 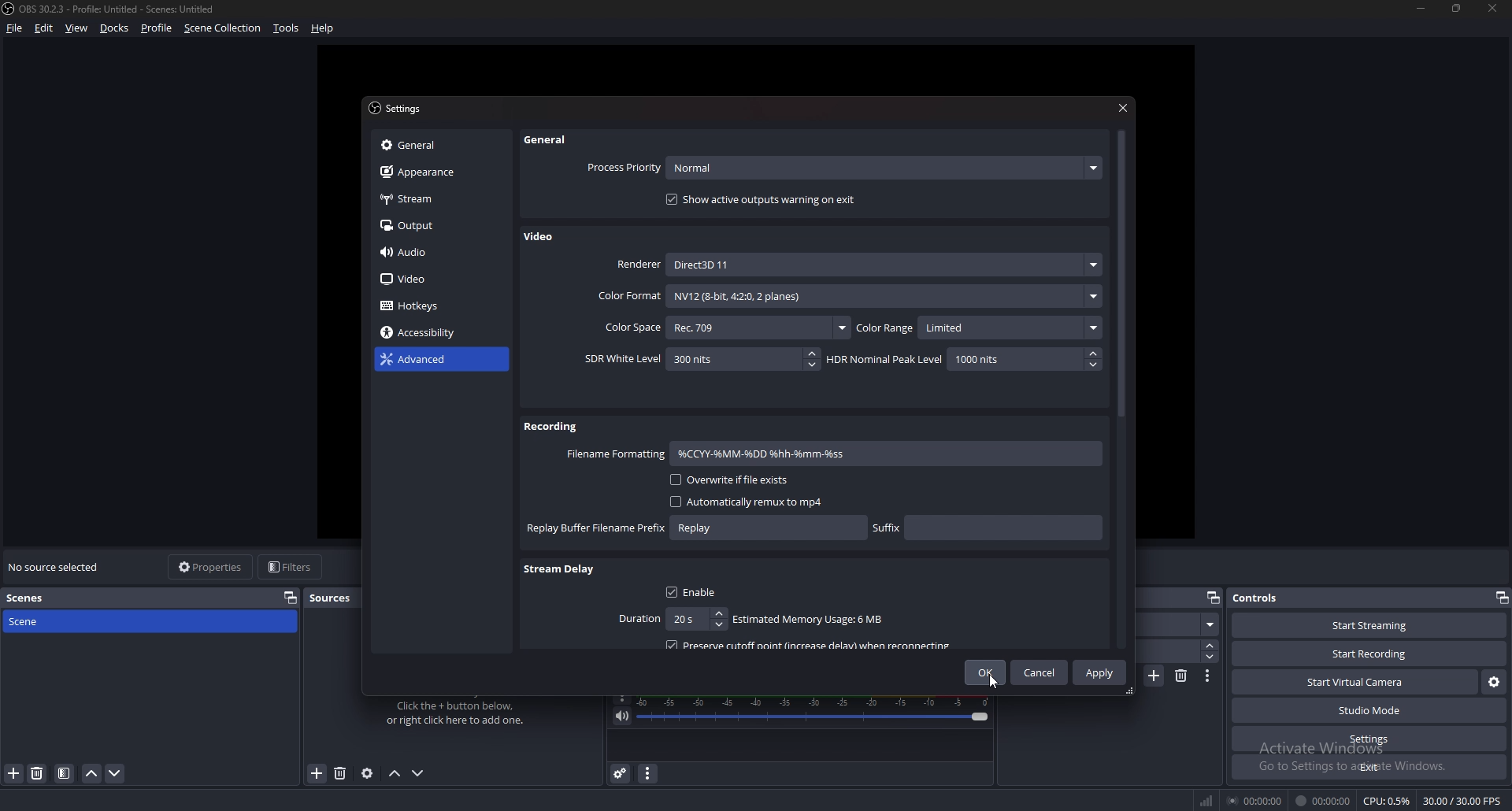 I want to click on remove scene, so click(x=1182, y=676).